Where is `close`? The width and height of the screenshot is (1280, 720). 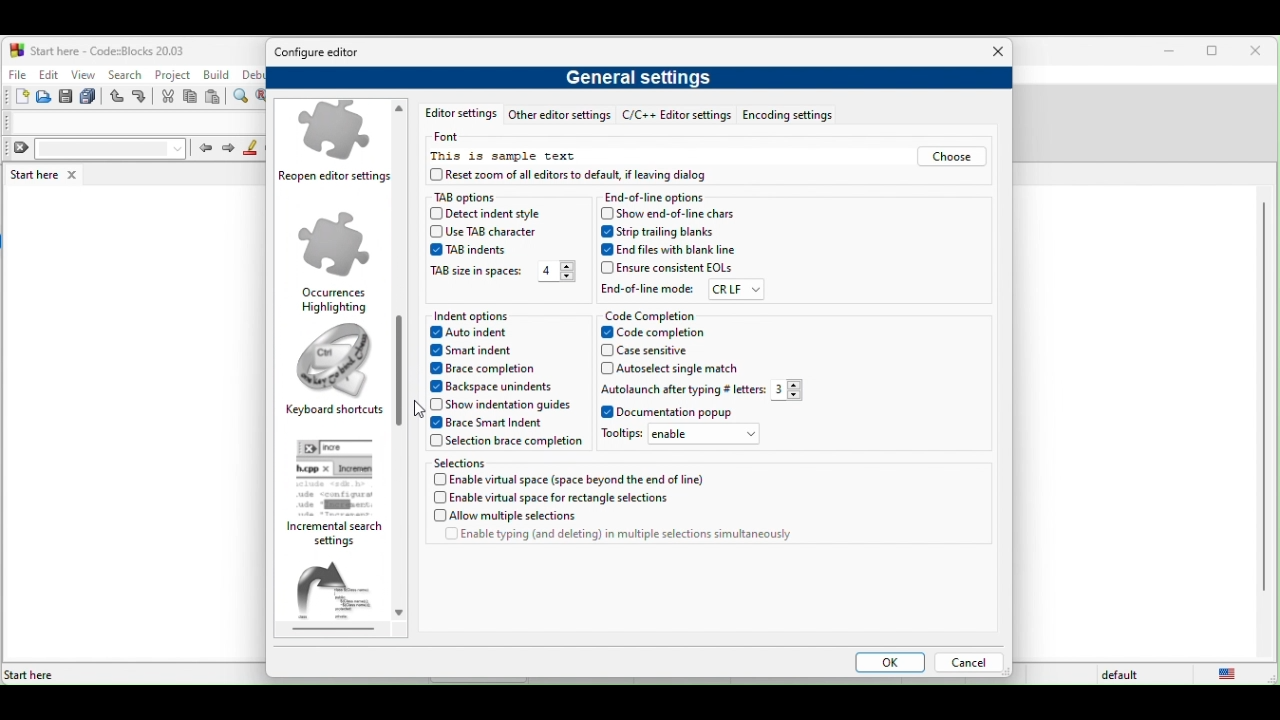
close is located at coordinates (1260, 52).